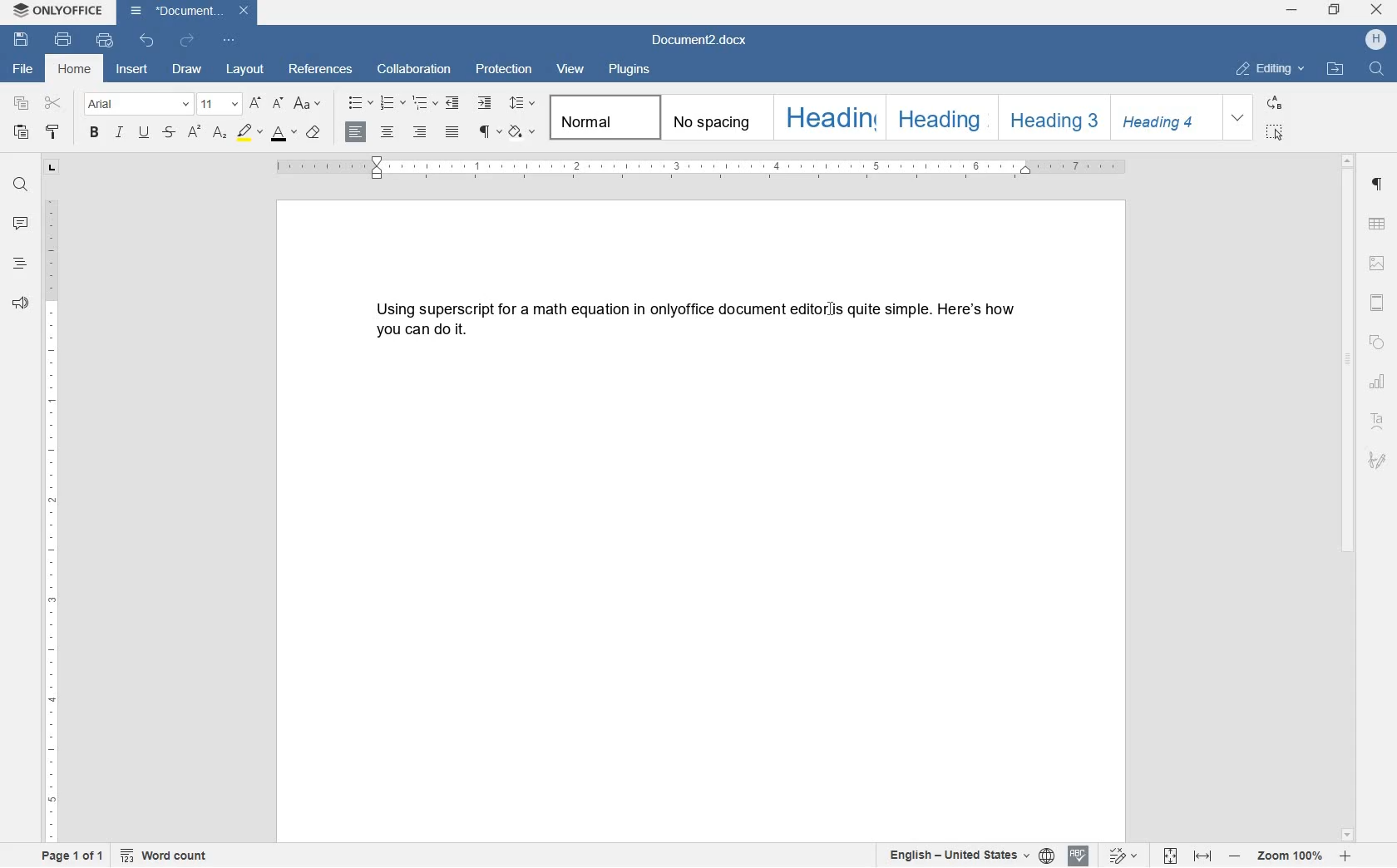 The image size is (1397, 868). I want to click on signature, so click(1378, 461).